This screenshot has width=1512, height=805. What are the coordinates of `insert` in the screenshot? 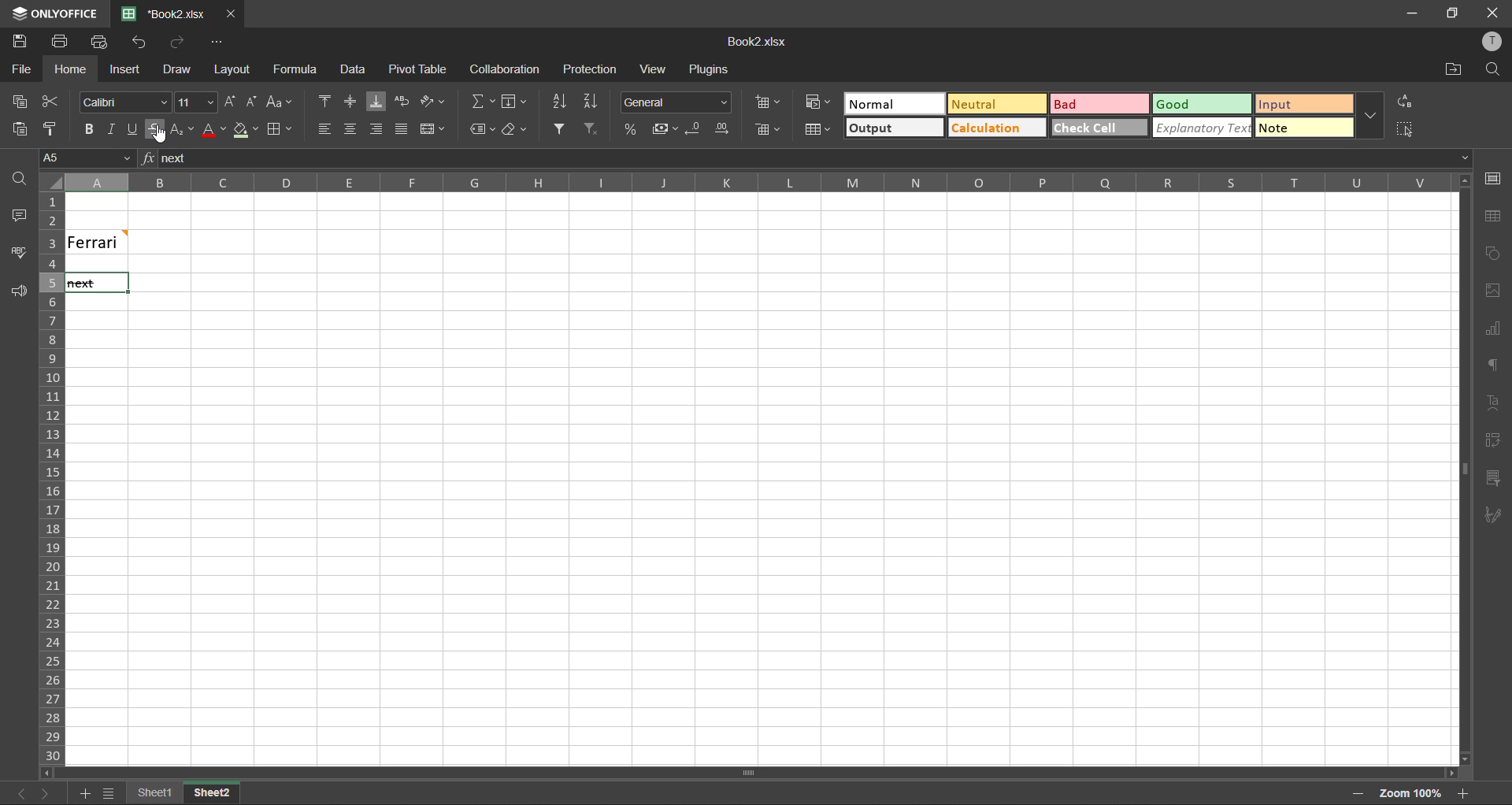 It's located at (125, 72).